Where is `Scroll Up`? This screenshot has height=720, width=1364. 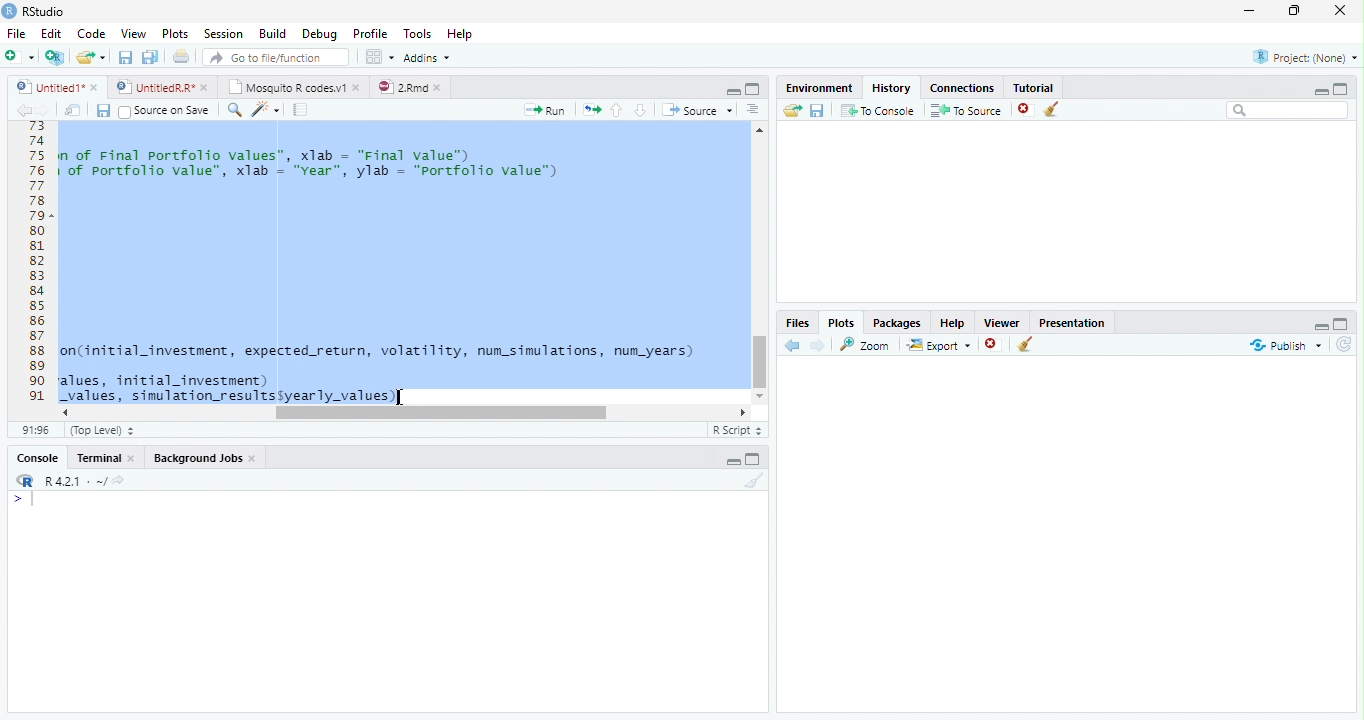 Scroll Up is located at coordinates (760, 132).